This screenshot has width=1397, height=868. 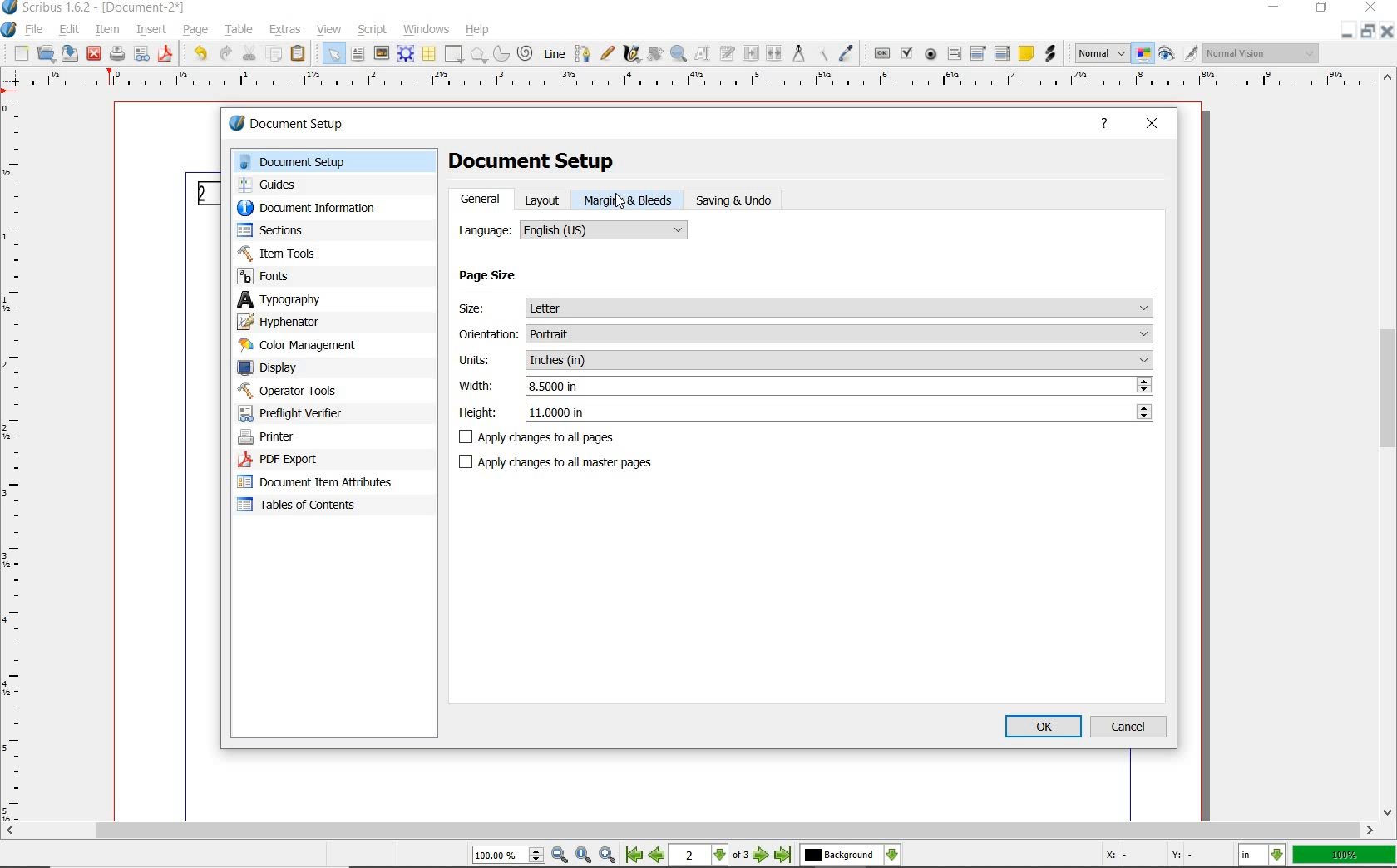 I want to click on Close, so click(x=1346, y=31).